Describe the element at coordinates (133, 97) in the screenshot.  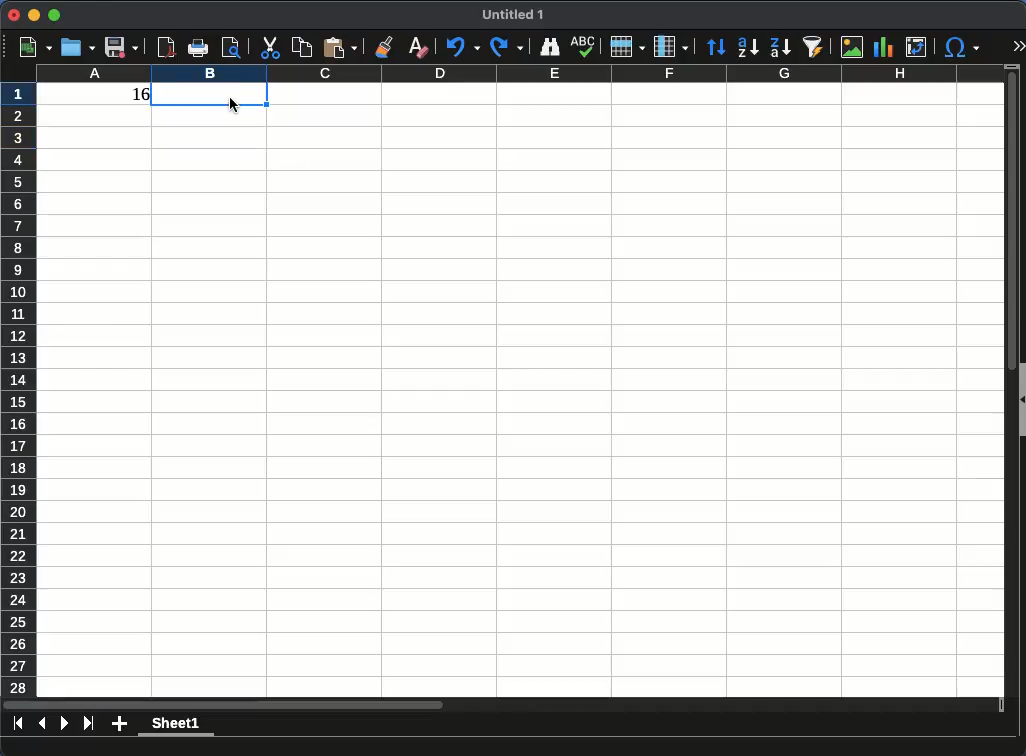
I see `16` at that location.